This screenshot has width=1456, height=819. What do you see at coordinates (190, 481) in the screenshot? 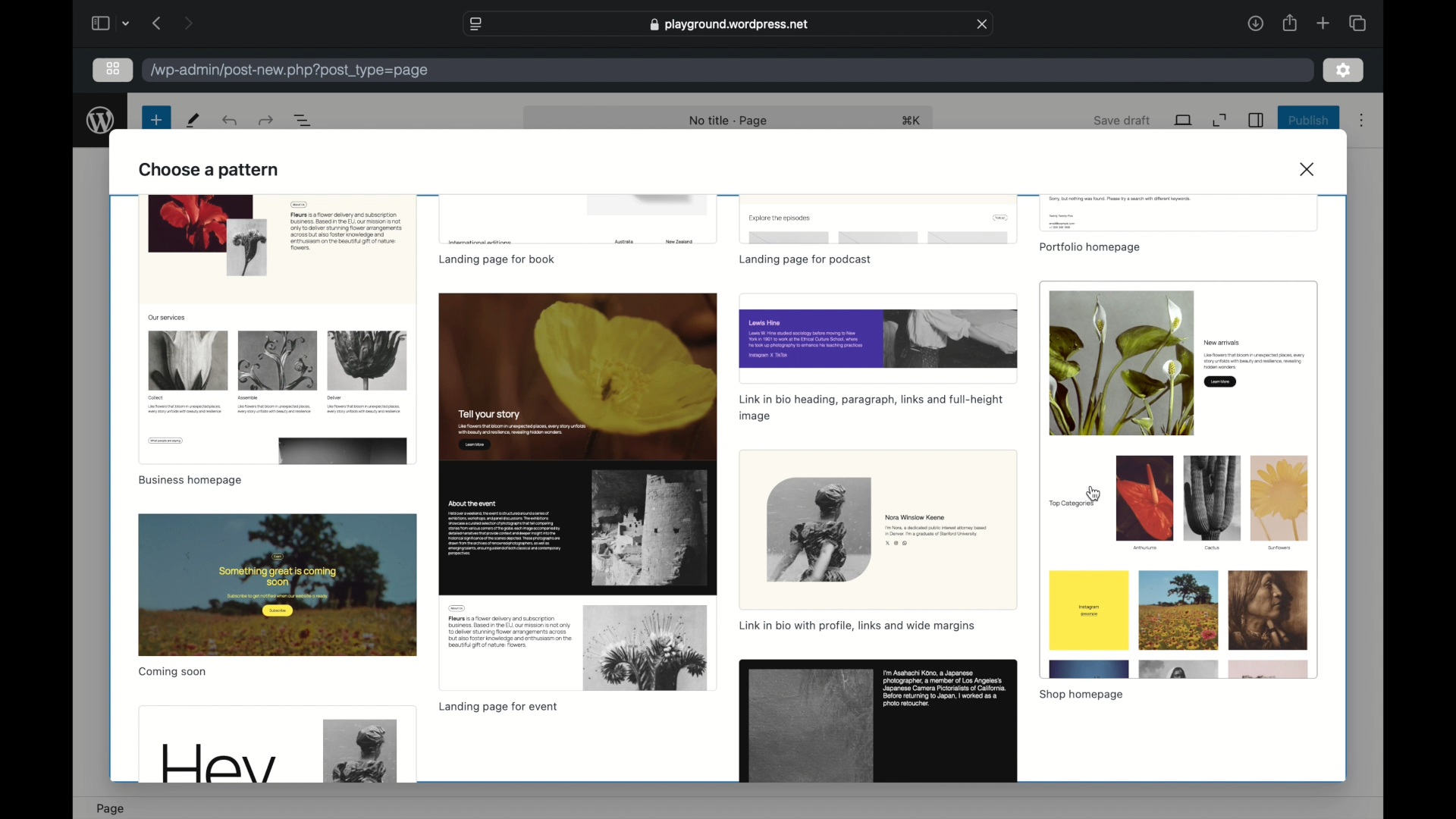
I see `template name` at bounding box center [190, 481].